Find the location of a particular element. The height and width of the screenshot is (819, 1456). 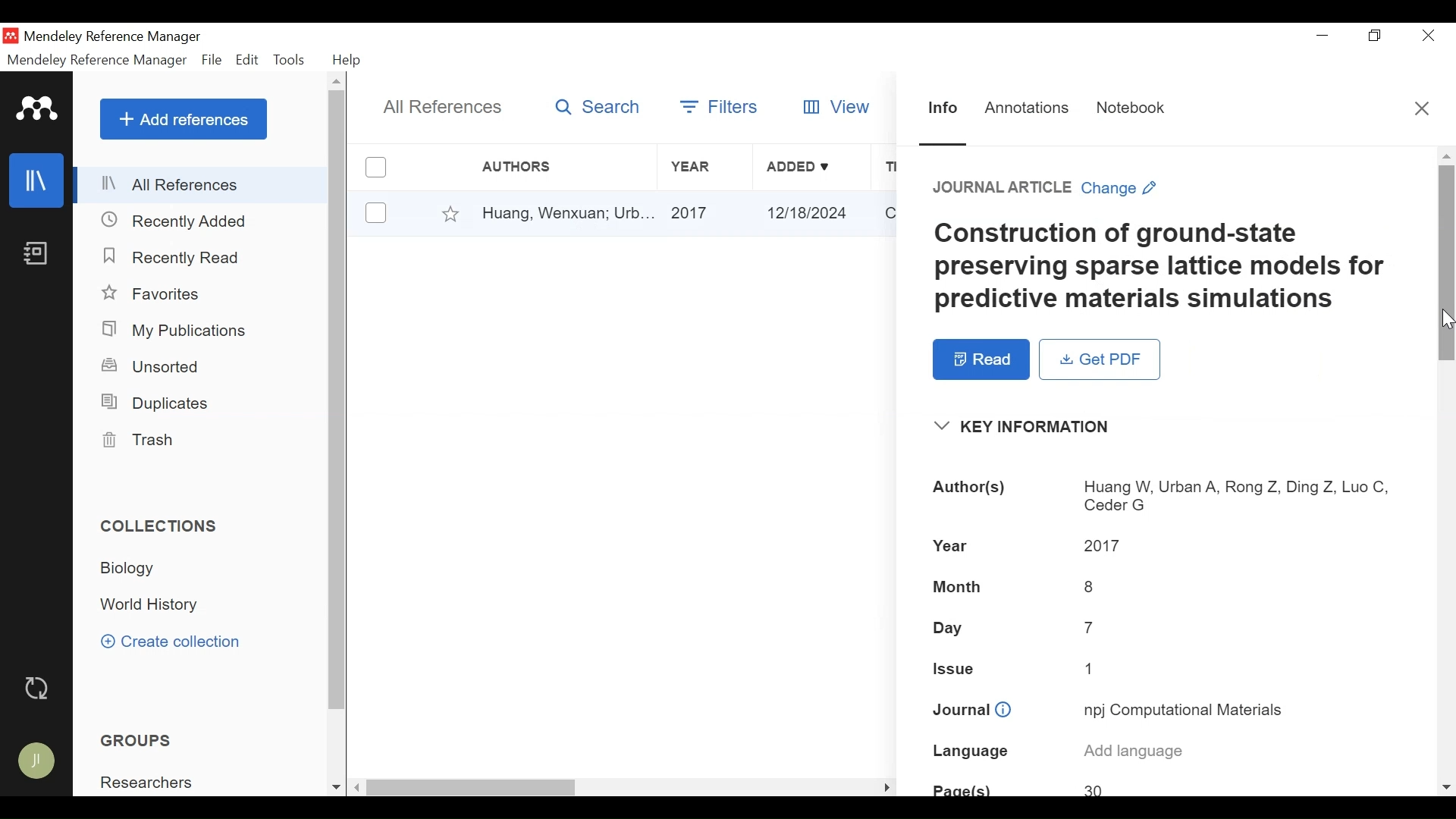

Scroll down is located at coordinates (334, 787).